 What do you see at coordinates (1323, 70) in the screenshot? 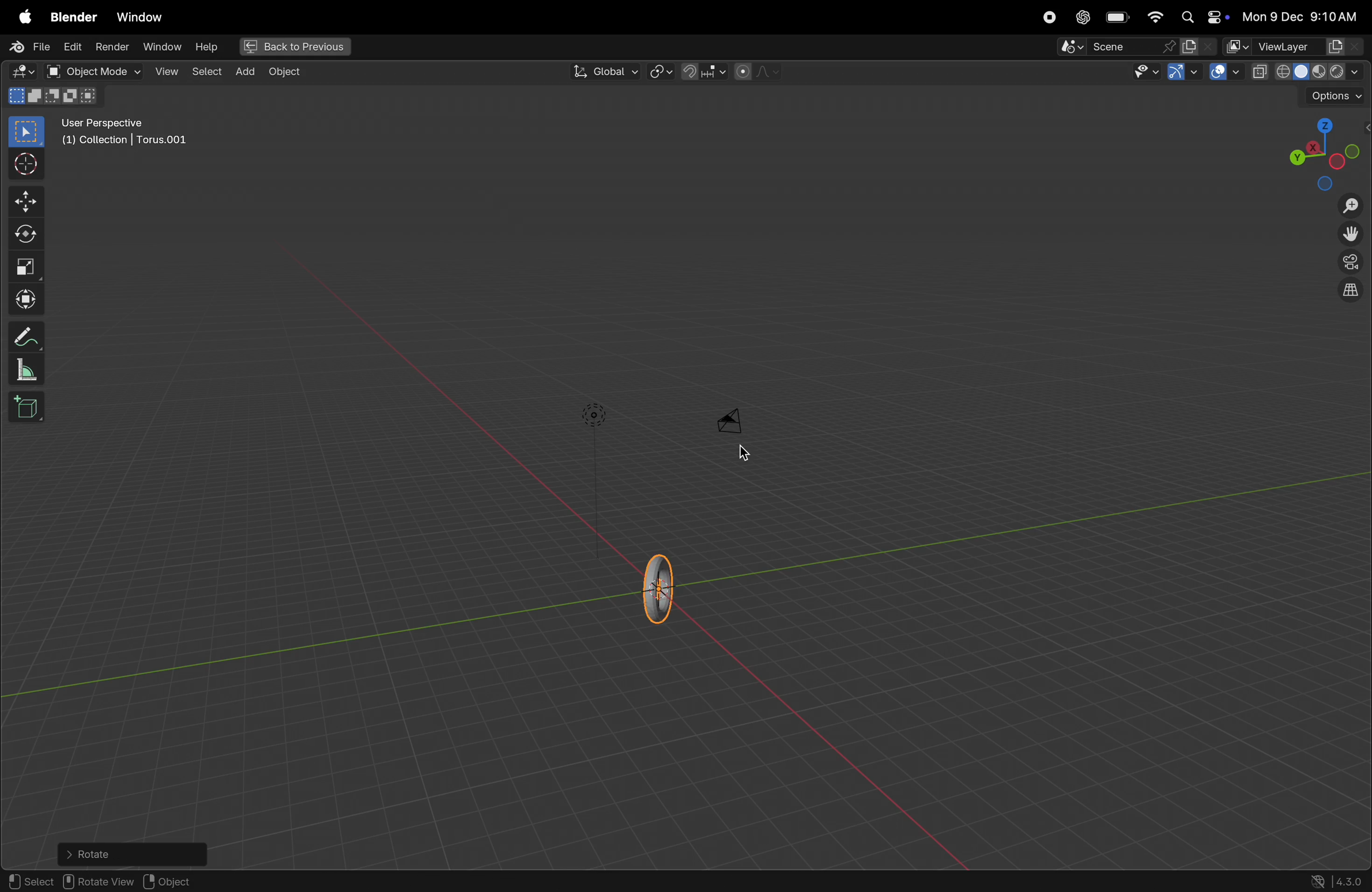
I see `view shading` at bounding box center [1323, 70].